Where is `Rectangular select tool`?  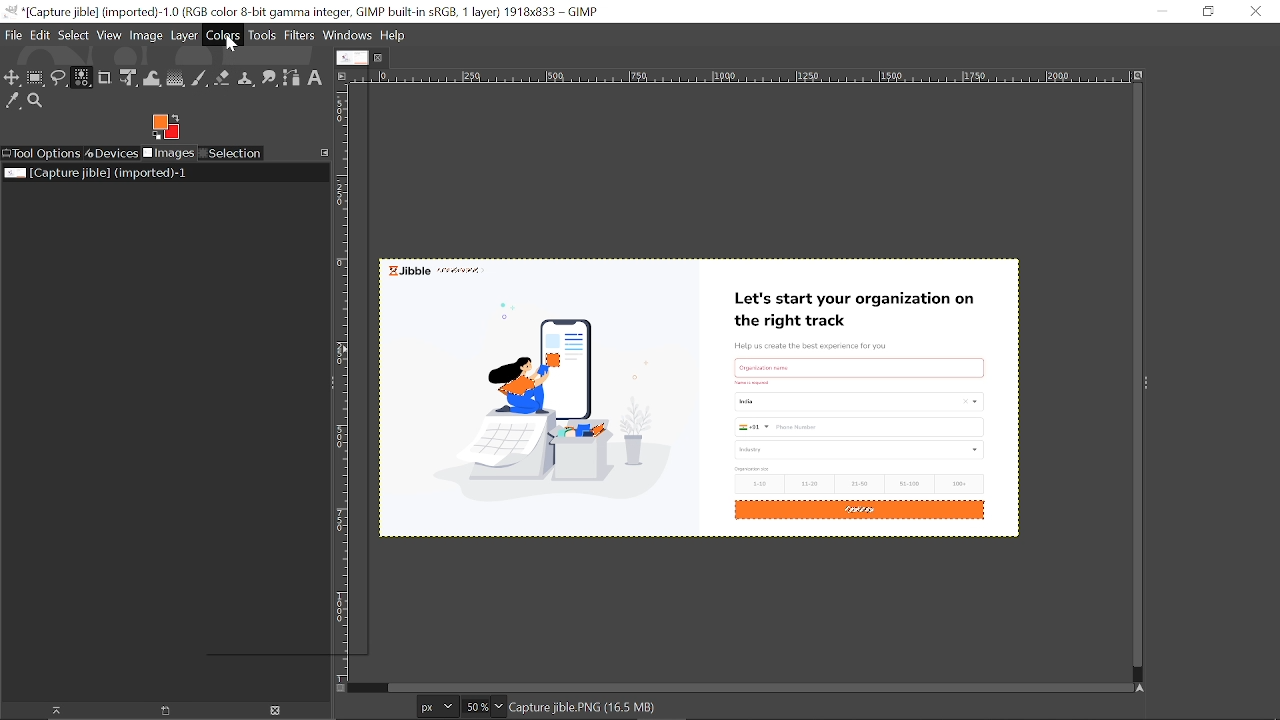 Rectangular select tool is located at coordinates (36, 80).